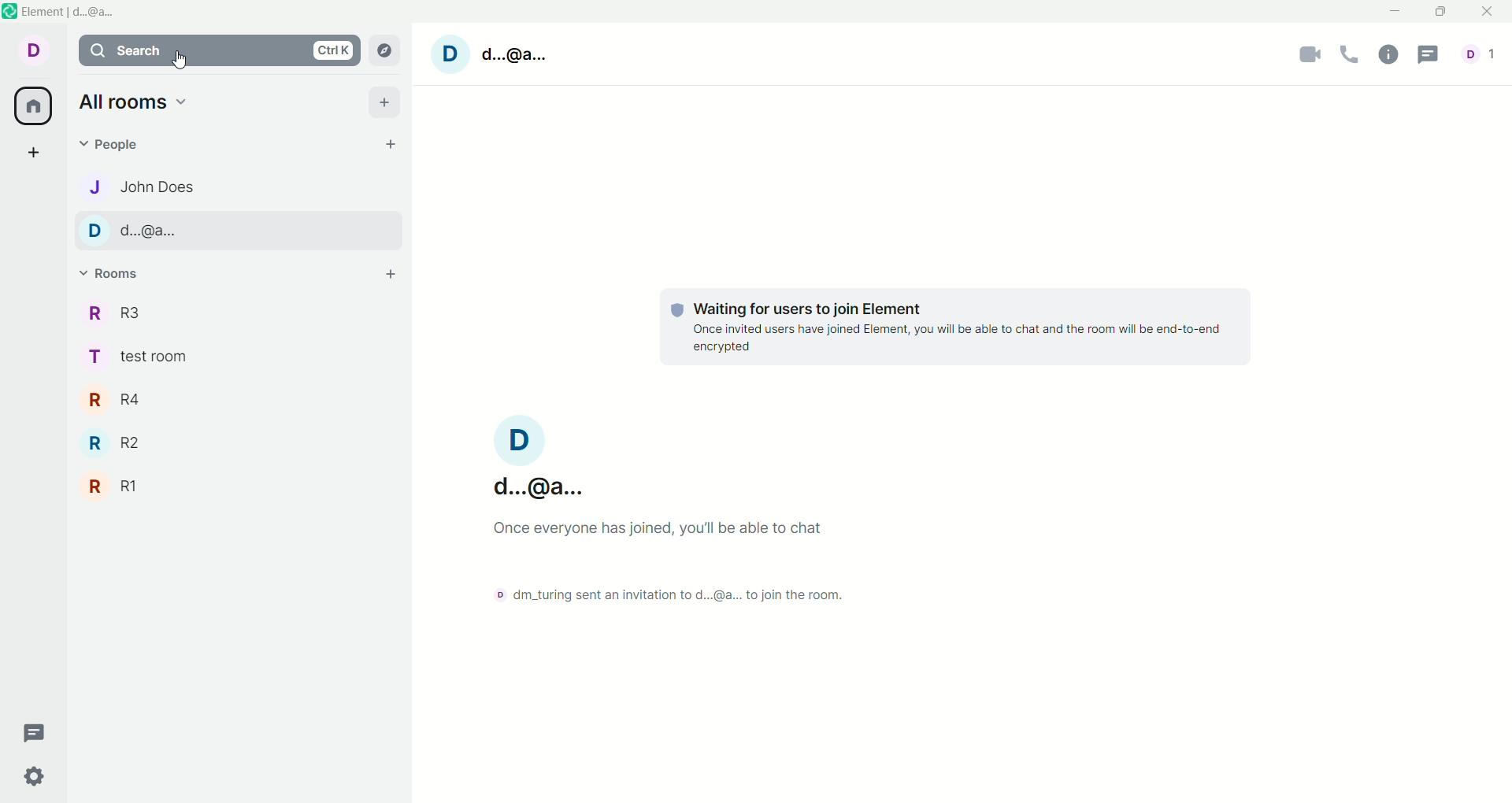 The height and width of the screenshot is (803, 1512). I want to click on create a space, so click(31, 153).